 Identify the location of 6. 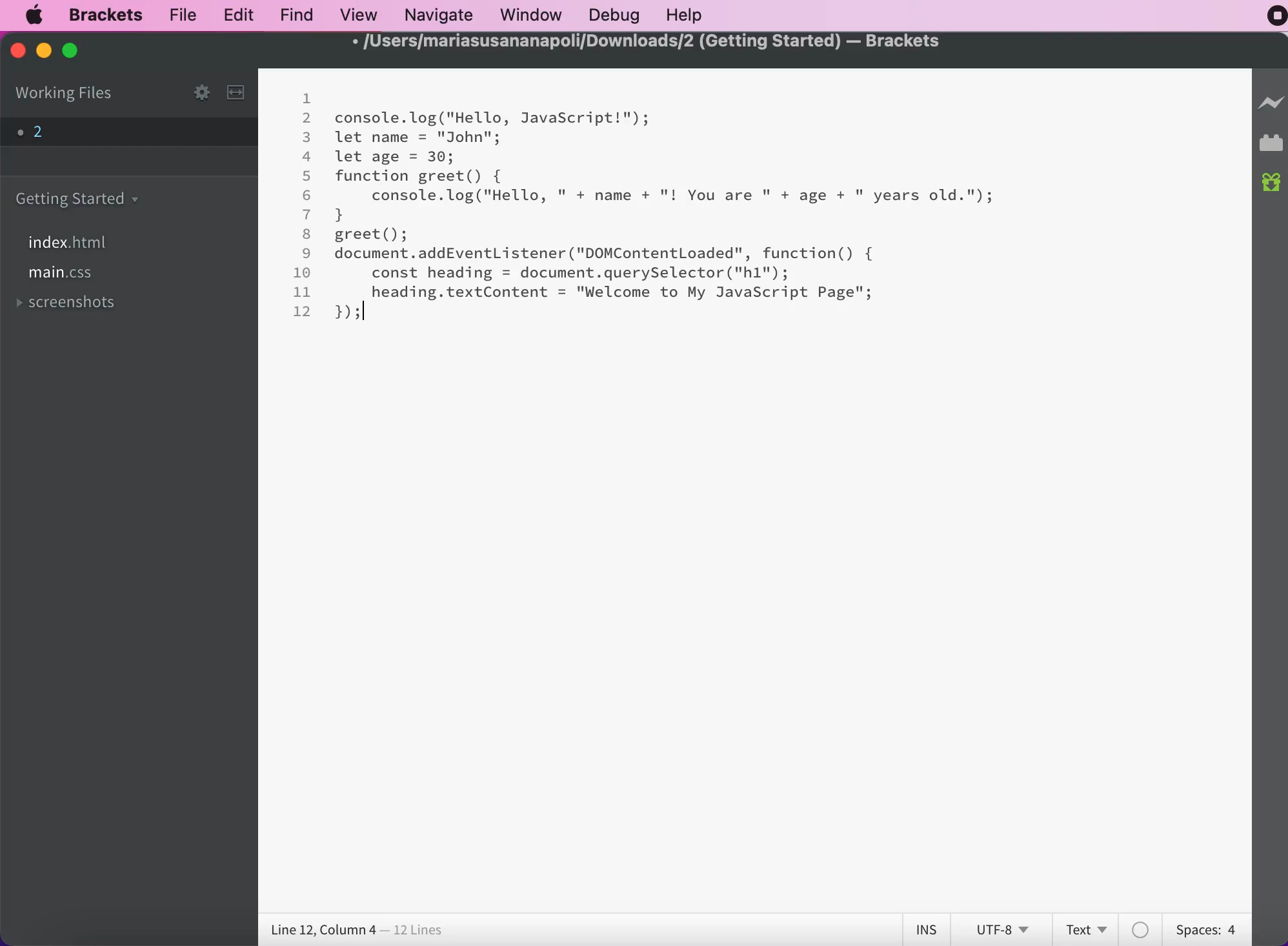
(308, 195).